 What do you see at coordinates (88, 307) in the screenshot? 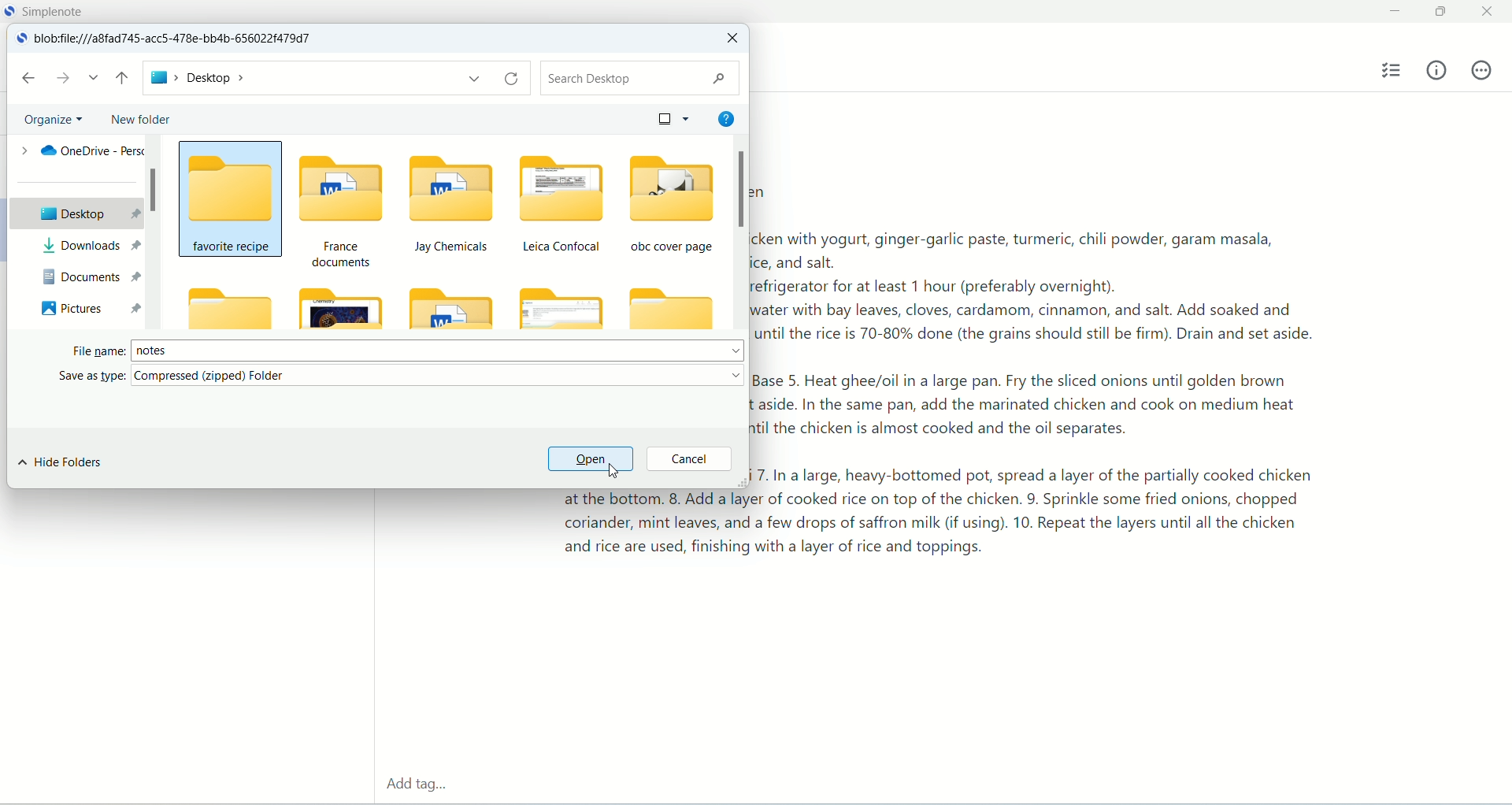
I see `pictures` at bounding box center [88, 307].